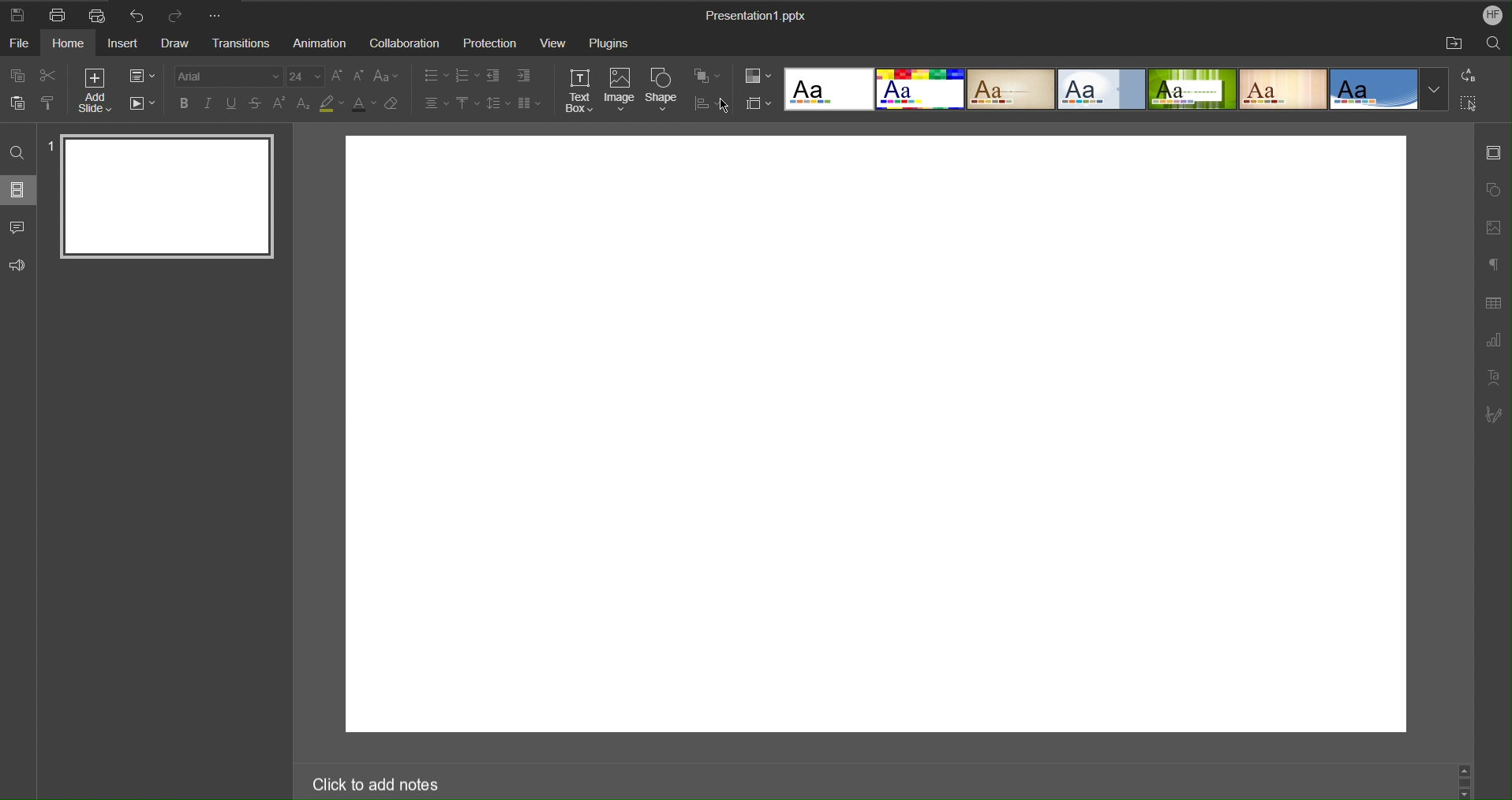 Image resolution: width=1512 pixels, height=800 pixels. What do you see at coordinates (1098, 89) in the screenshot?
I see `Templates` at bounding box center [1098, 89].